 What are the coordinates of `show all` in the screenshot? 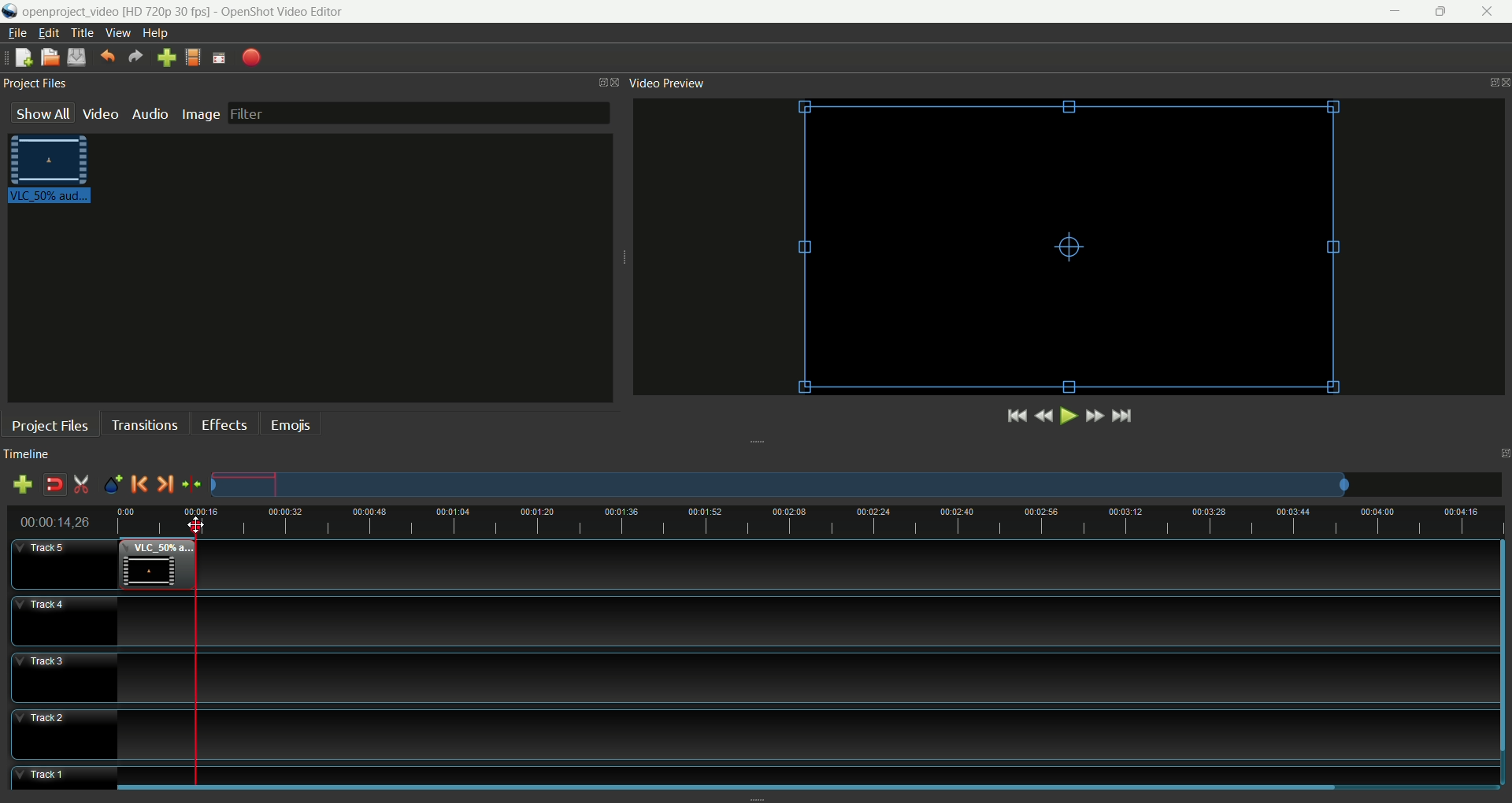 It's located at (42, 113).